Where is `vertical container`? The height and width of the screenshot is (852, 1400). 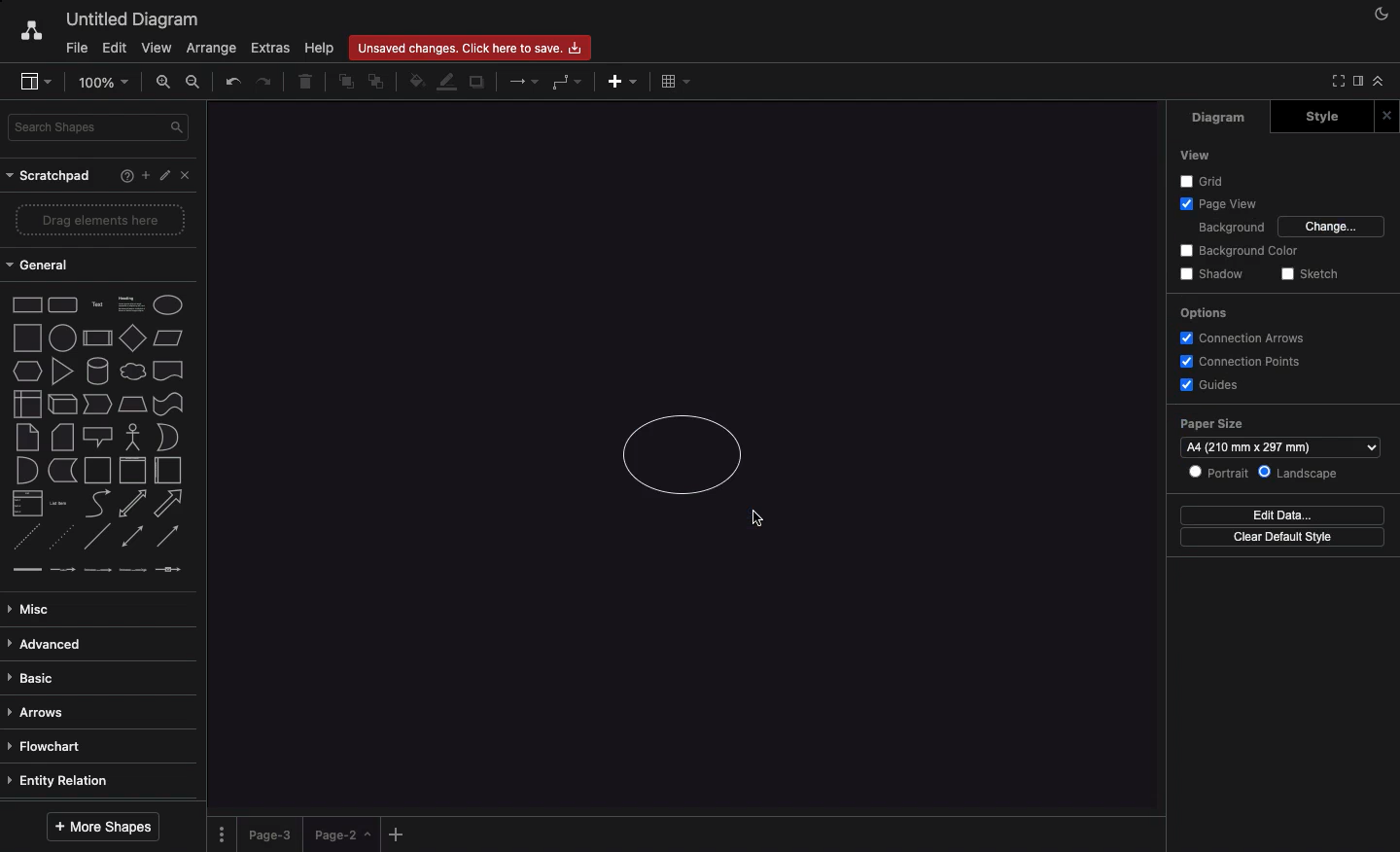 vertical container is located at coordinates (132, 471).